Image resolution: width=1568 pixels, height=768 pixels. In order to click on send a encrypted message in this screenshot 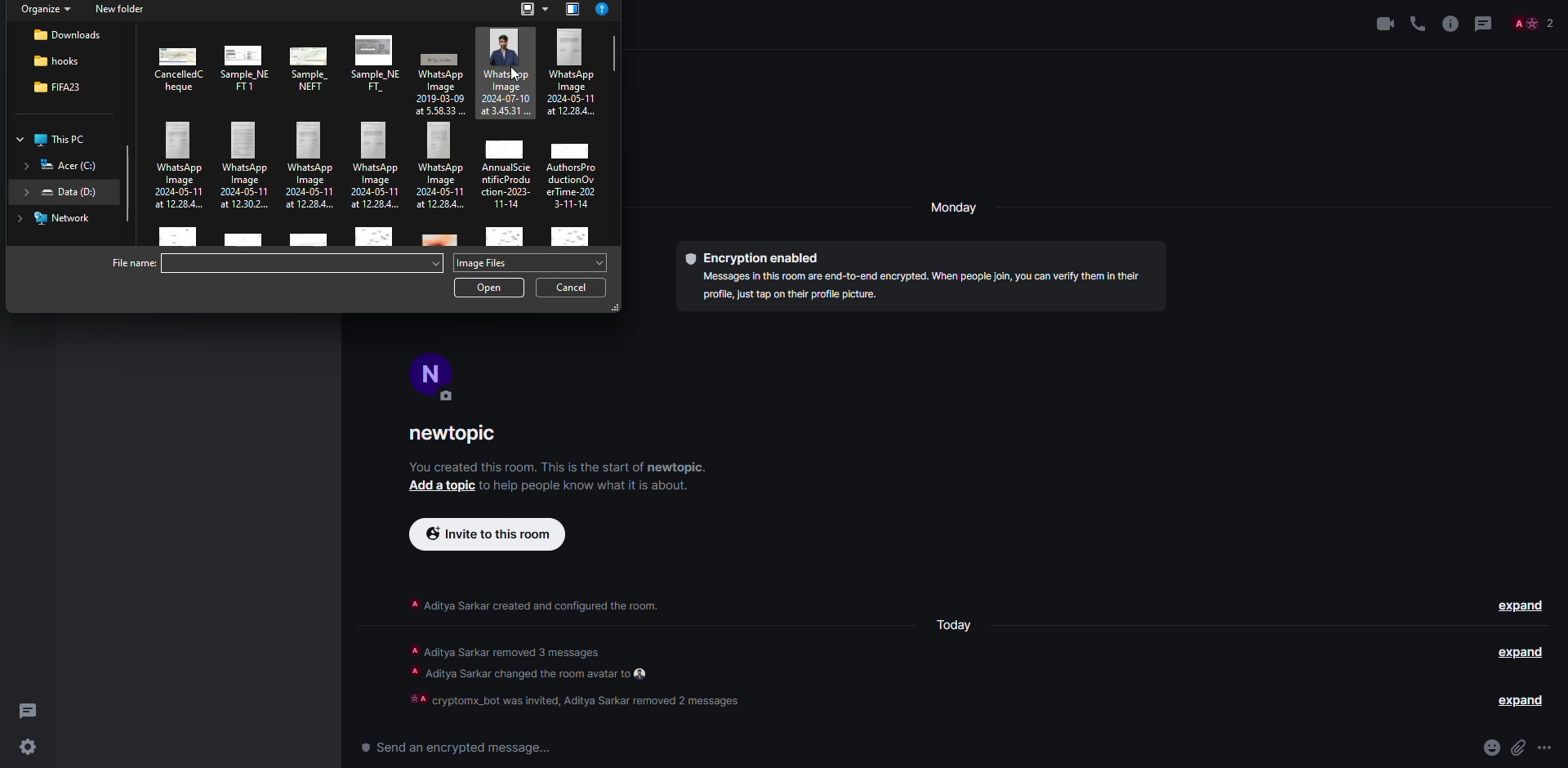, I will do `click(452, 747)`.